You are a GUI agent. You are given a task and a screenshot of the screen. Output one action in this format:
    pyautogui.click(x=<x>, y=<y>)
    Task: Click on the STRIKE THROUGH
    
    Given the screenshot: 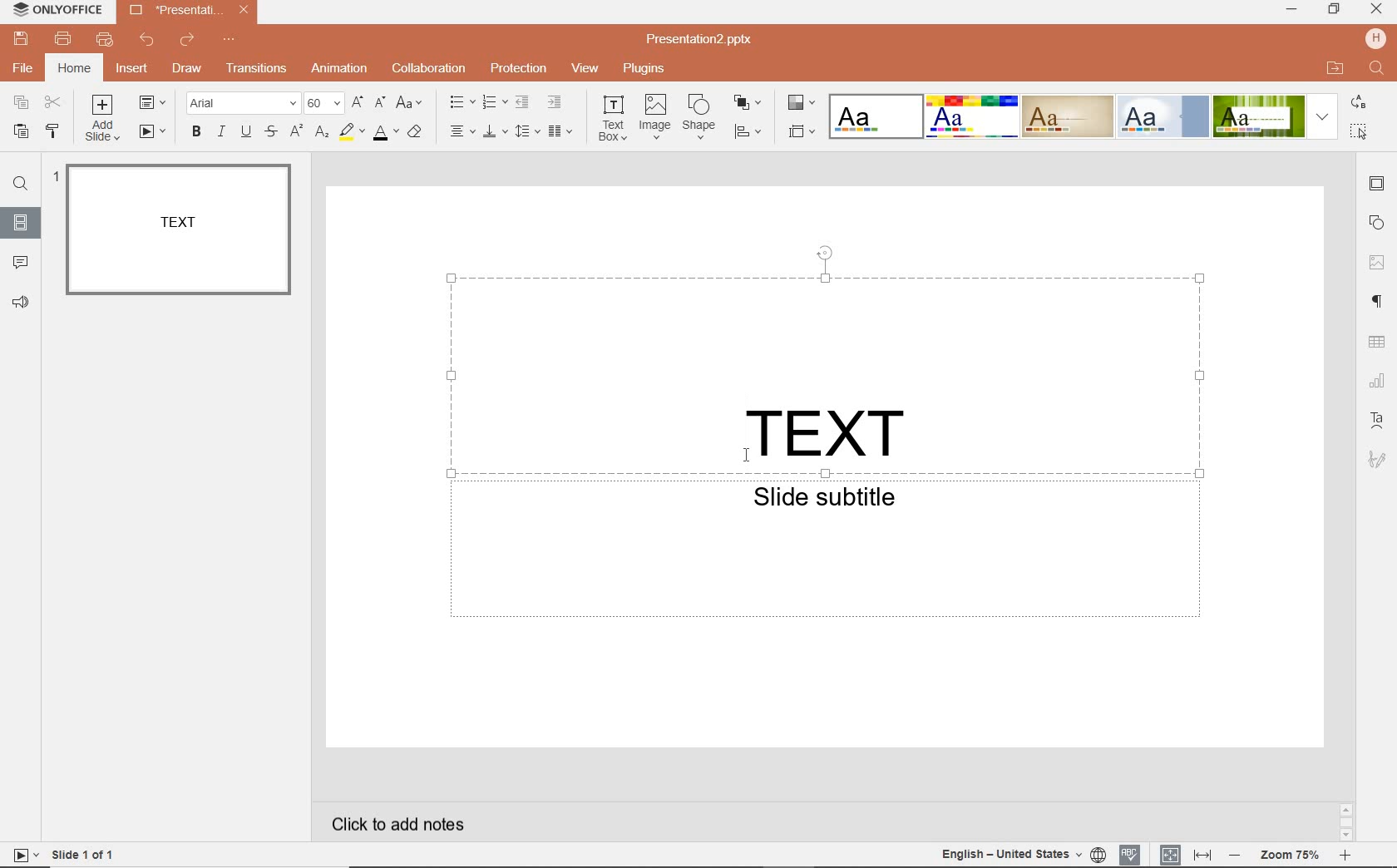 What is the action you would take?
    pyautogui.click(x=274, y=131)
    